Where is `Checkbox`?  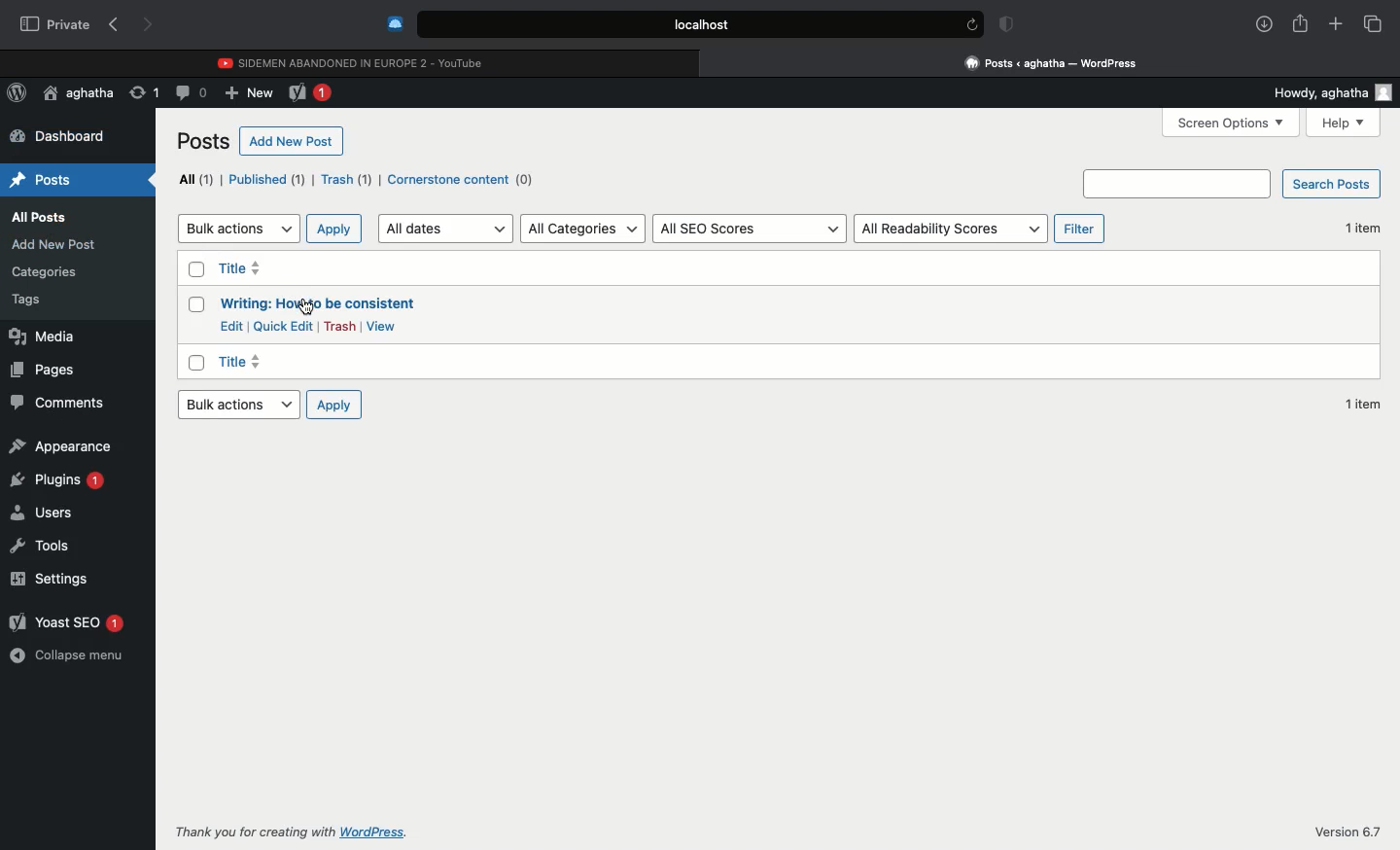
Checkbox is located at coordinates (194, 267).